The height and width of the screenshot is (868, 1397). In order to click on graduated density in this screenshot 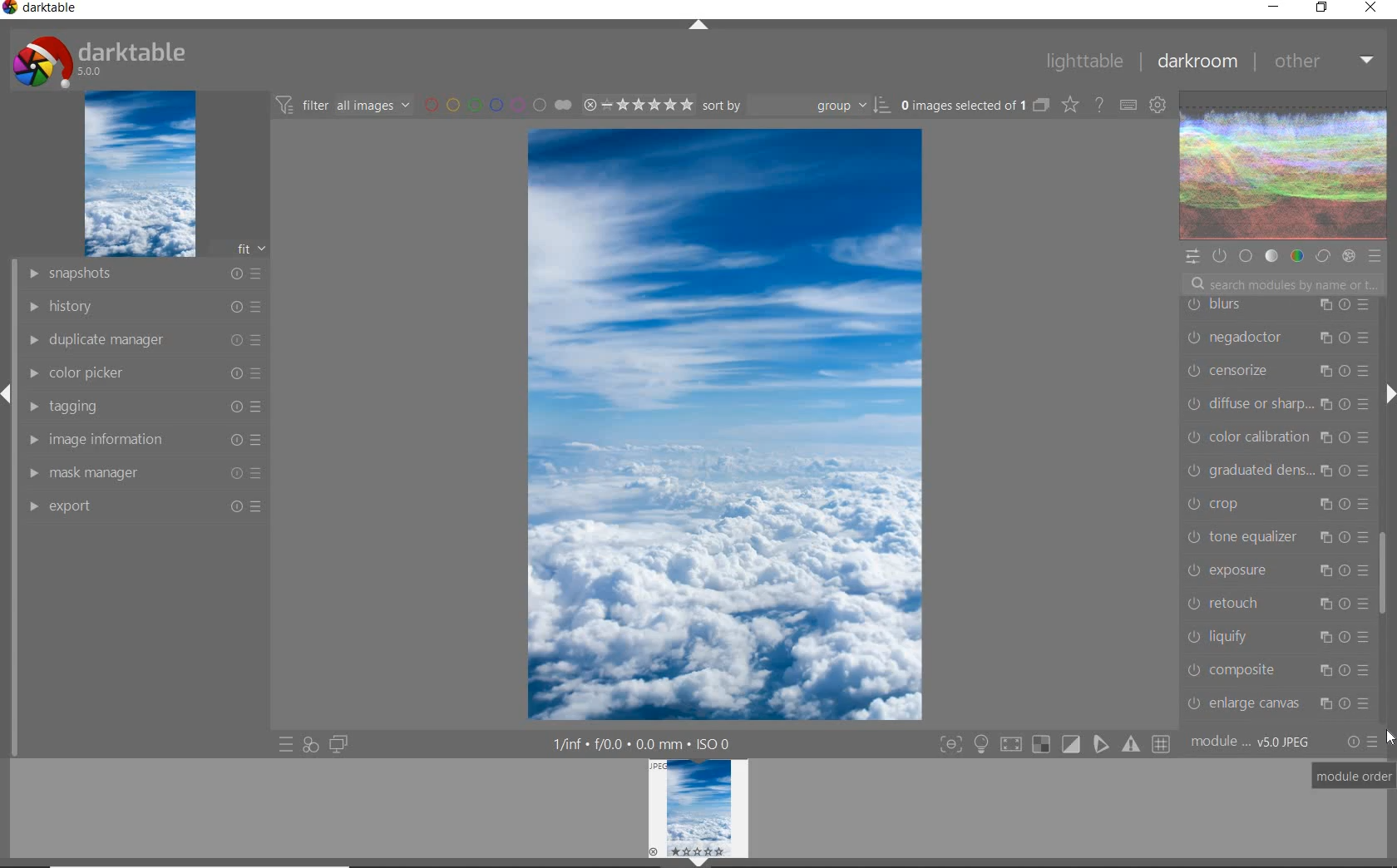, I will do `click(1279, 469)`.